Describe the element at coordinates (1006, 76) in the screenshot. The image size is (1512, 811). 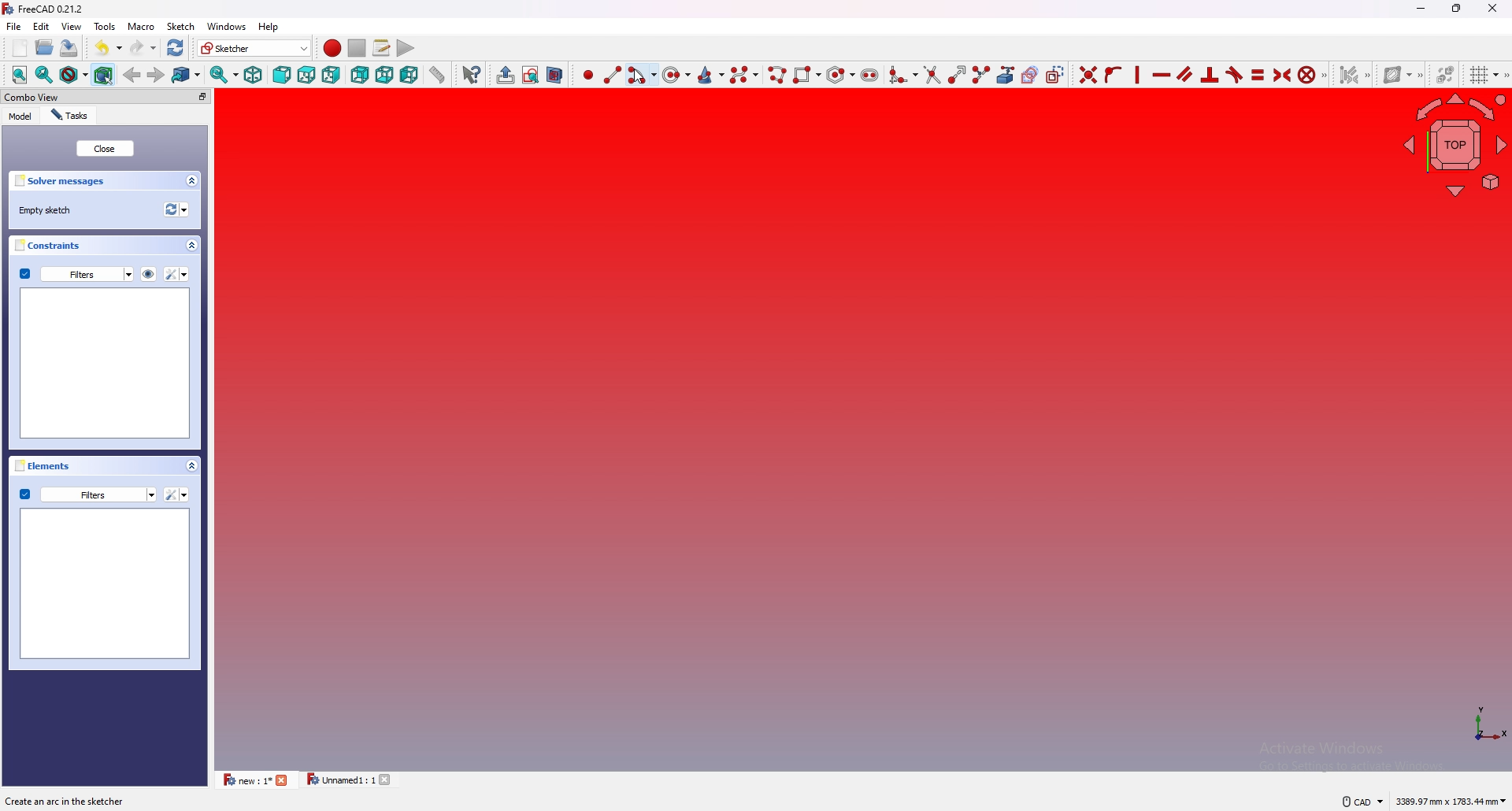
I see `create external geometry` at that location.